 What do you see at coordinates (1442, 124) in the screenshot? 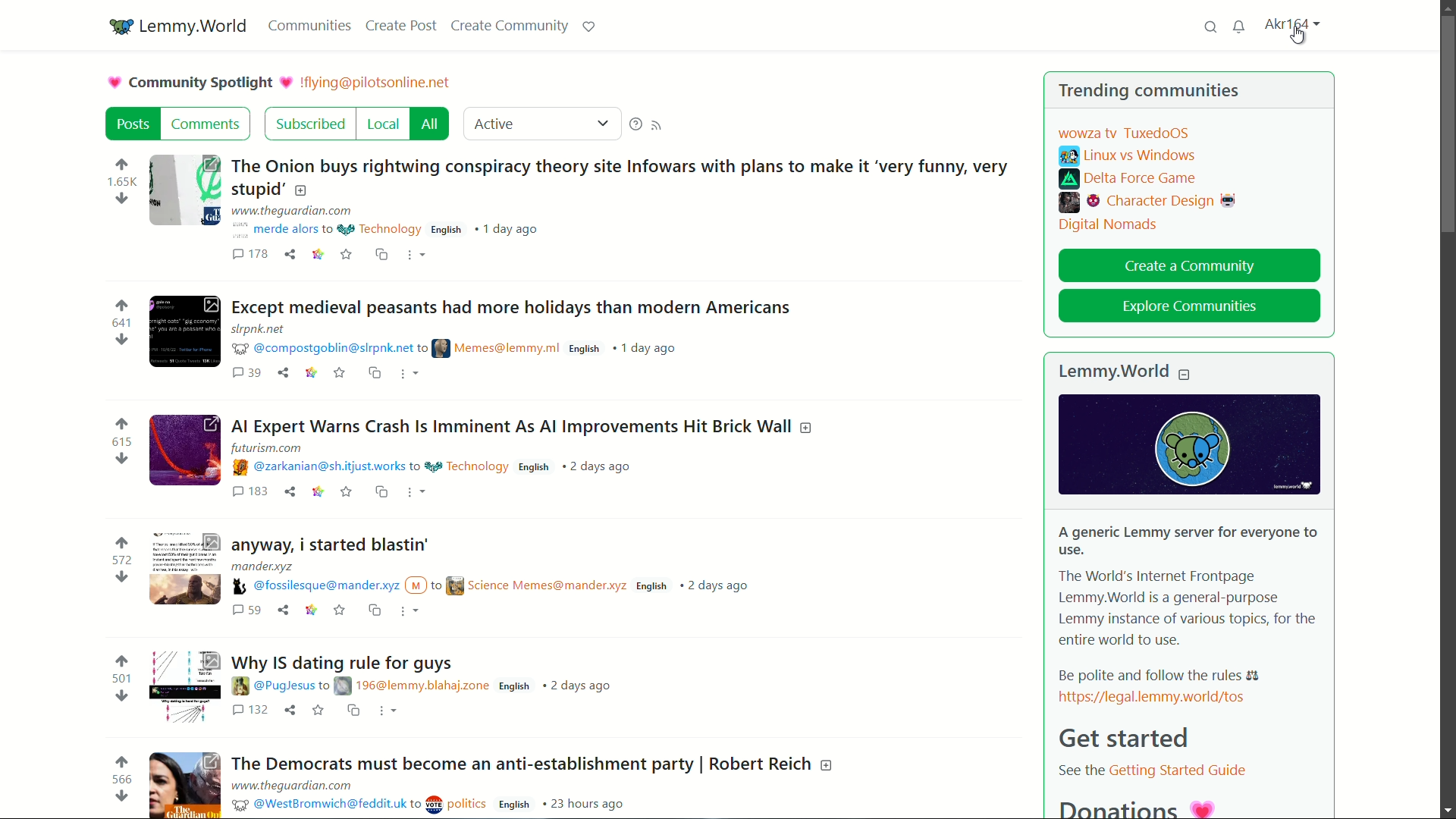
I see `vertical scroll bar` at bounding box center [1442, 124].